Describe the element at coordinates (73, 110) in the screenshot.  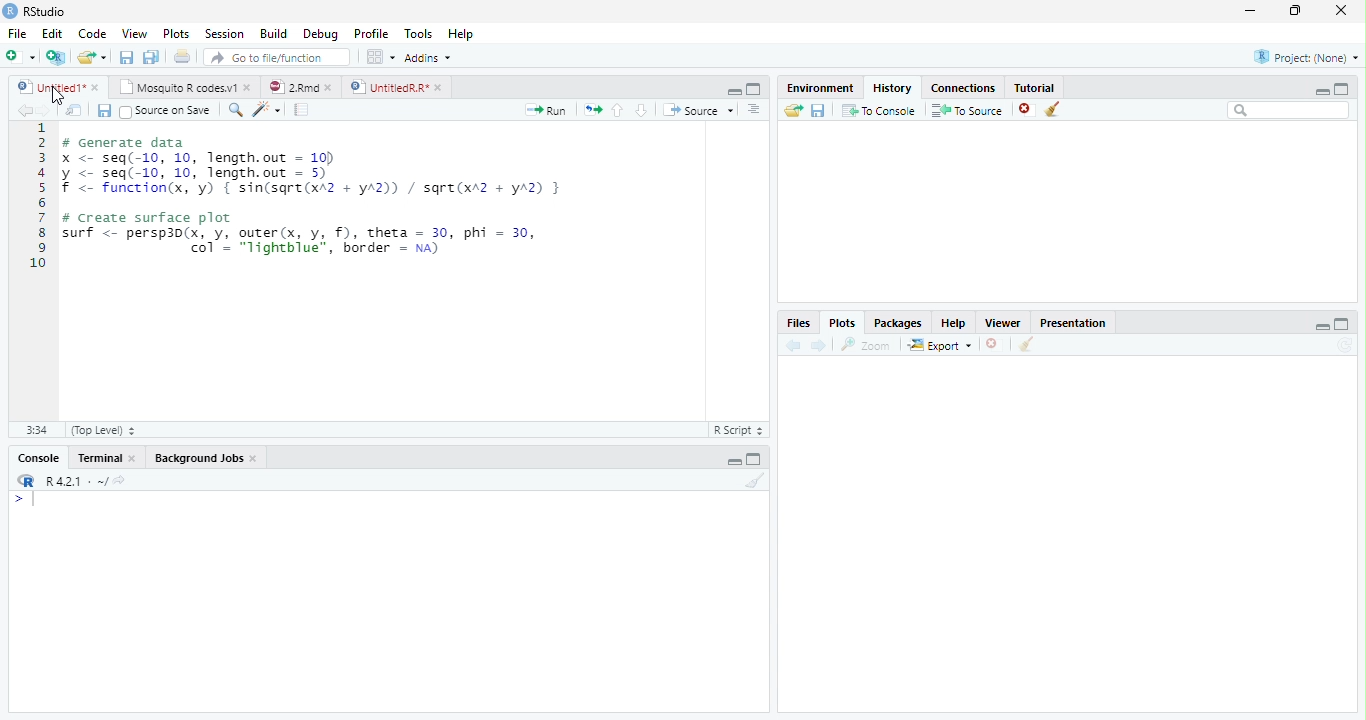
I see `Show in new window` at that location.